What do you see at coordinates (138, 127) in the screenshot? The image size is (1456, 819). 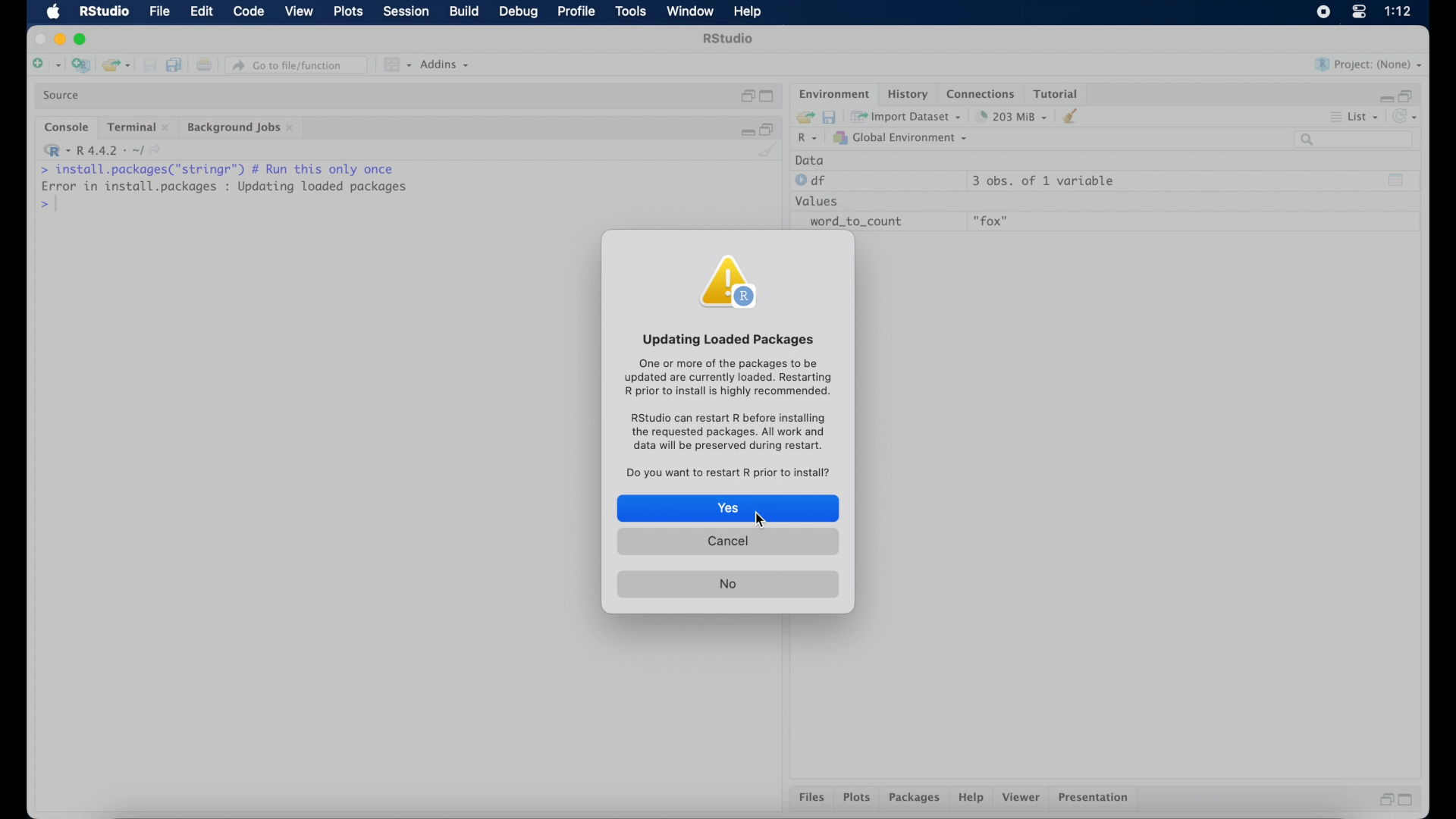 I see `terminal` at bounding box center [138, 127].